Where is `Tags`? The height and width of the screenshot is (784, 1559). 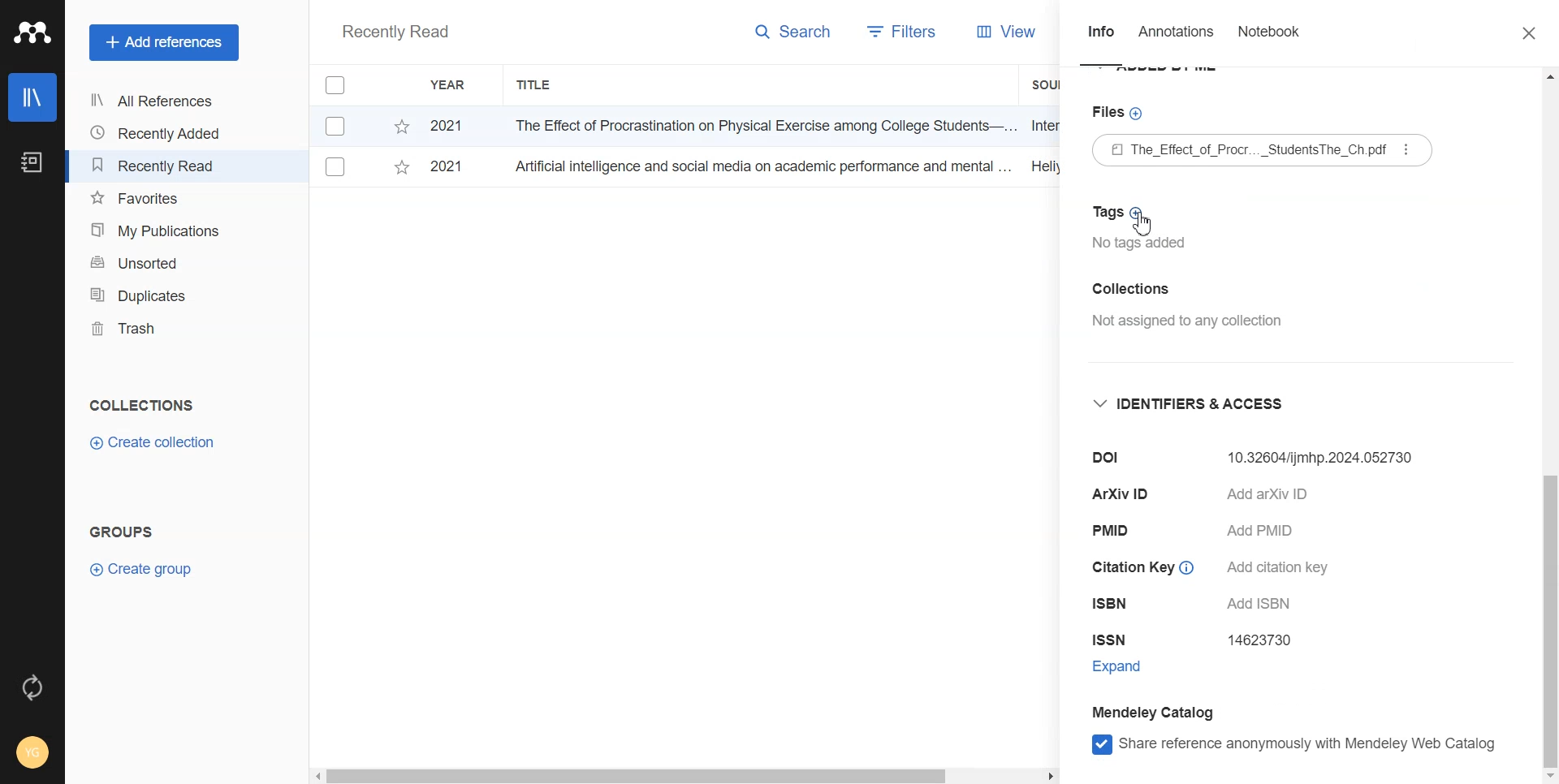 Tags is located at coordinates (1120, 211).